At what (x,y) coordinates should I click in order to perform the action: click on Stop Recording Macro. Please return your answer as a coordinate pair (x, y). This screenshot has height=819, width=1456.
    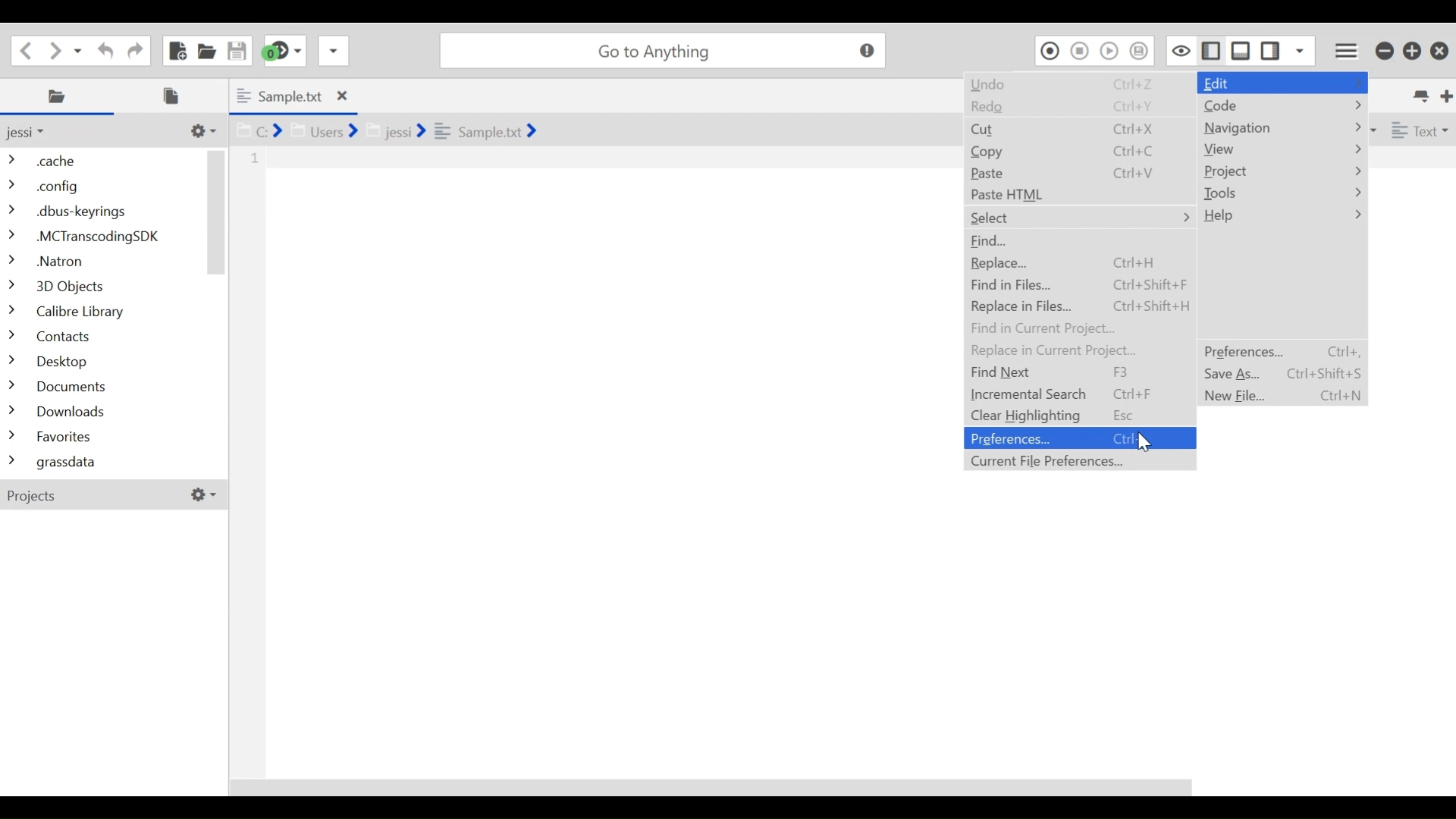
    Looking at the image, I should click on (1081, 50).